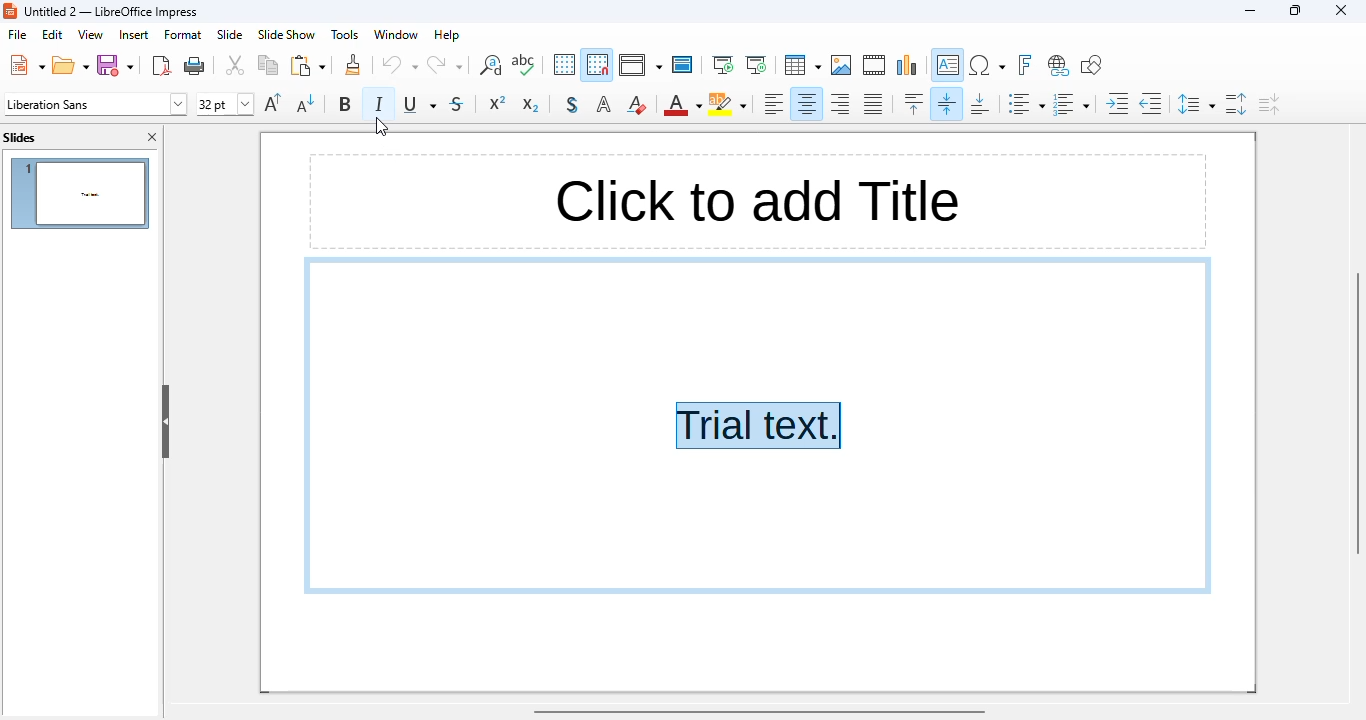  Describe the element at coordinates (457, 103) in the screenshot. I see `strikethrough` at that location.